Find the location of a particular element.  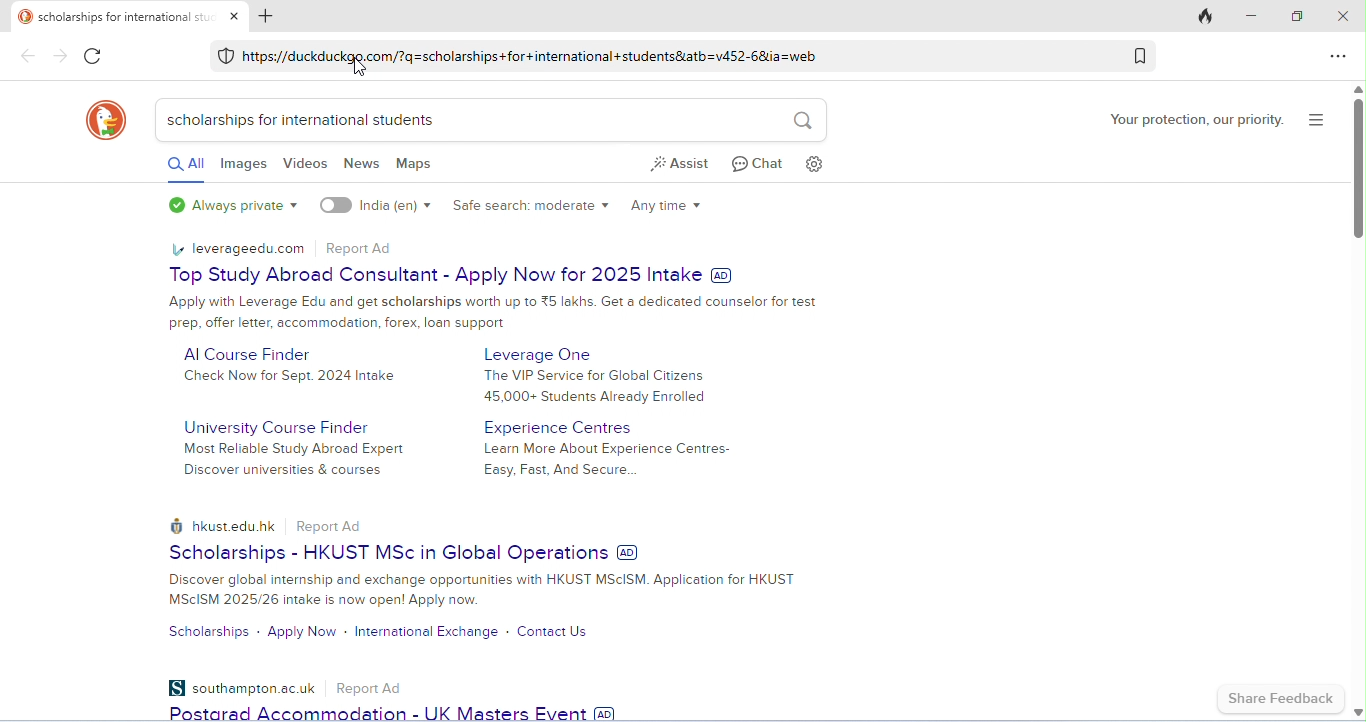

India(en) is located at coordinates (379, 207).